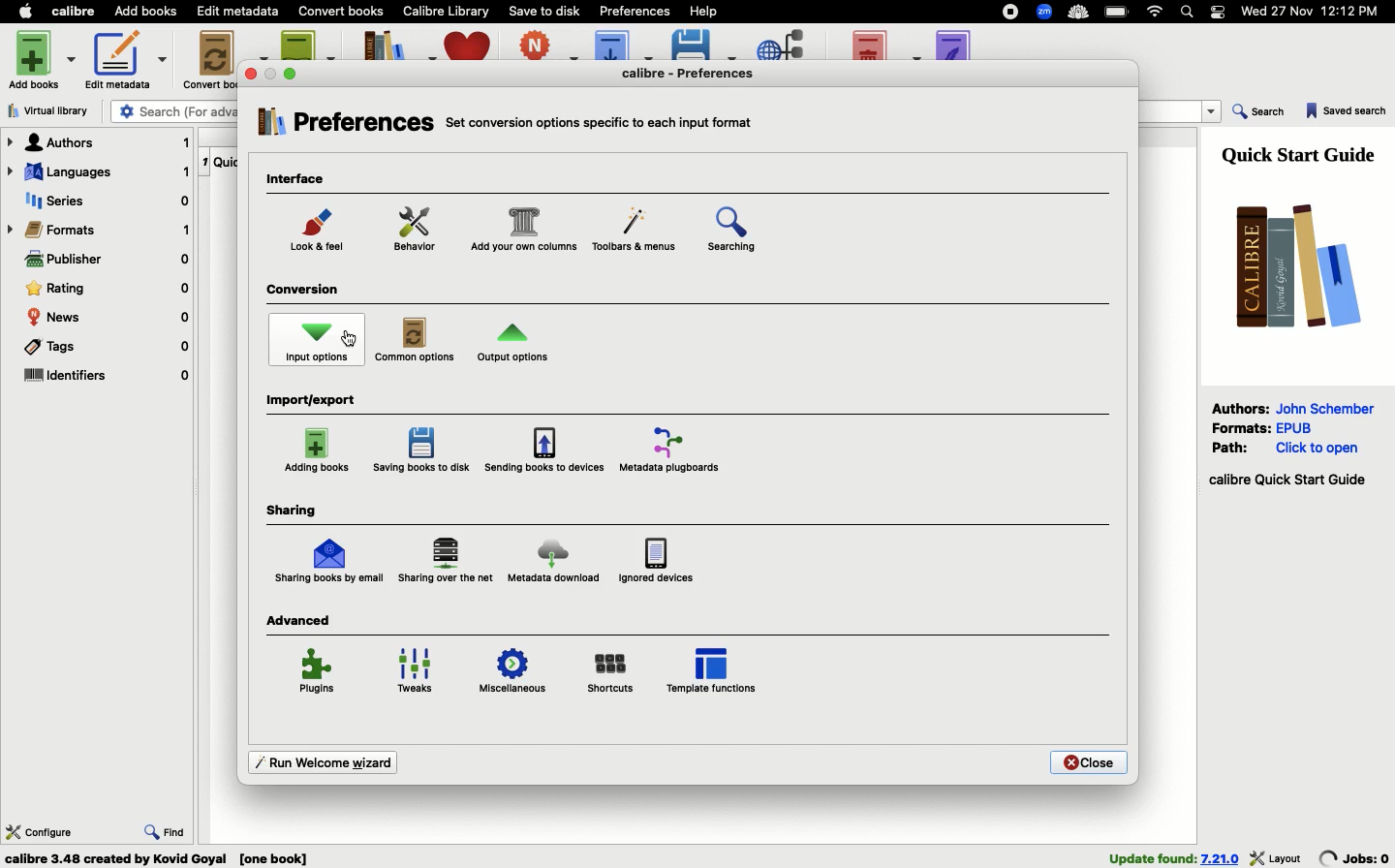 The image size is (1395, 868). Describe the element at coordinates (655, 559) in the screenshot. I see `Ignored devices` at that location.